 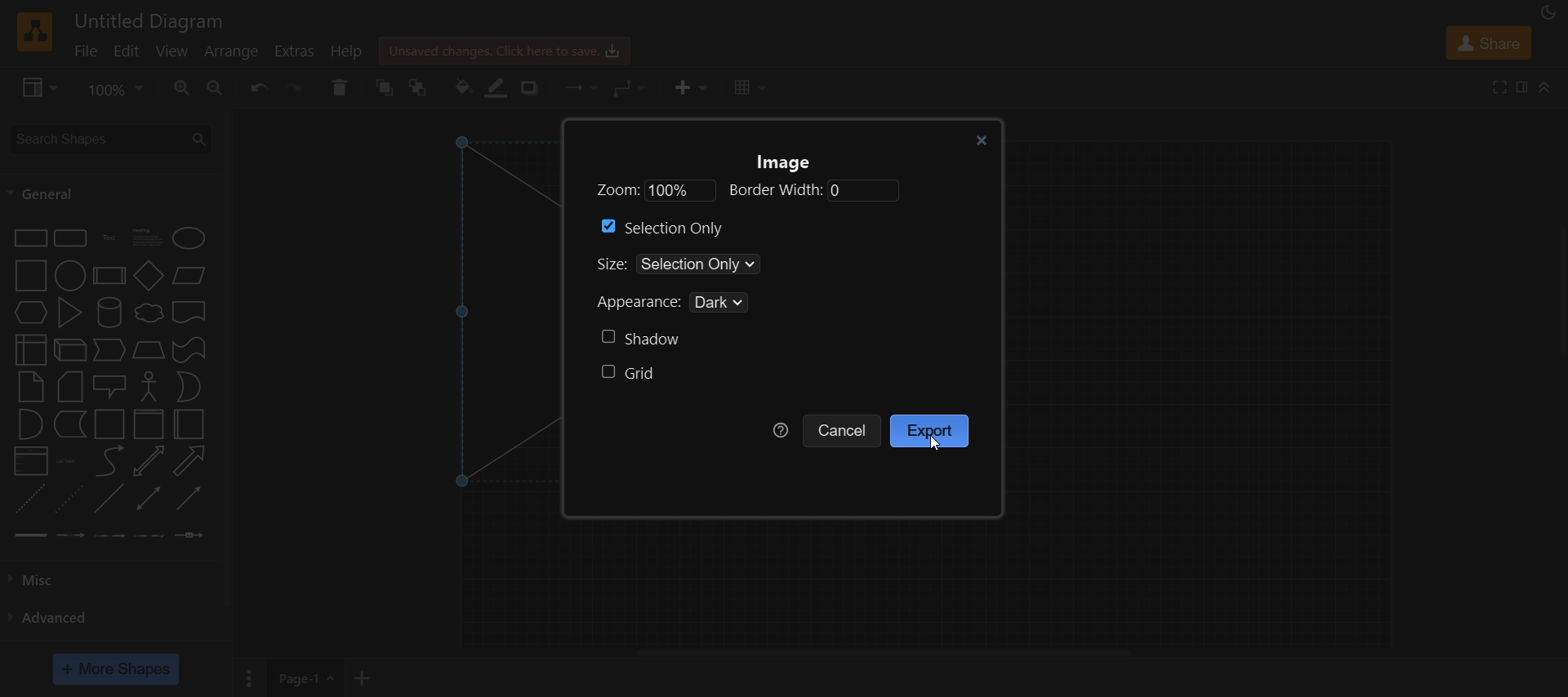 What do you see at coordinates (978, 139) in the screenshot?
I see `close` at bounding box center [978, 139].